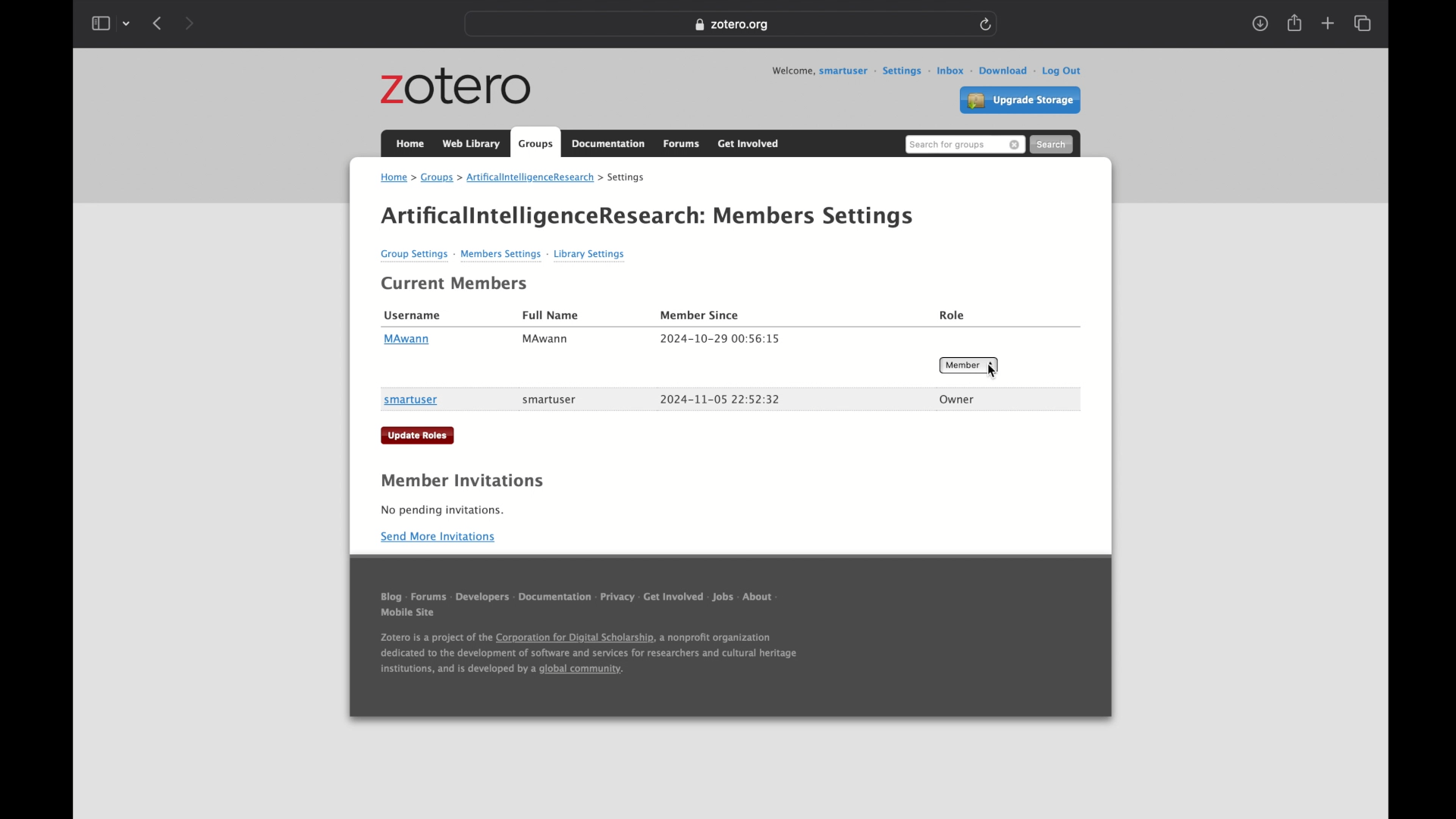 The image size is (1456, 819). What do you see at coordinates (700, 315) in the screenshot?
I see `member since` at bounding box center [700, 315].